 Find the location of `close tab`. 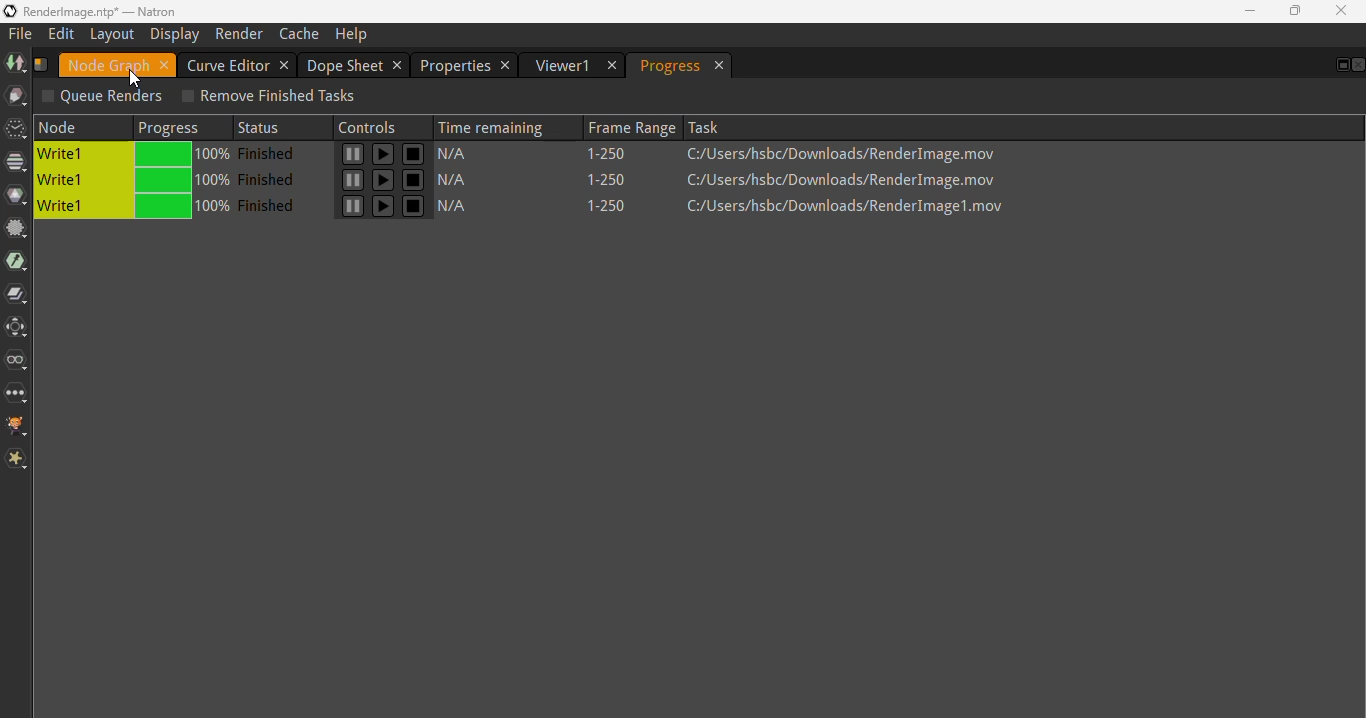

close tab is located at coordinates (507, 65).